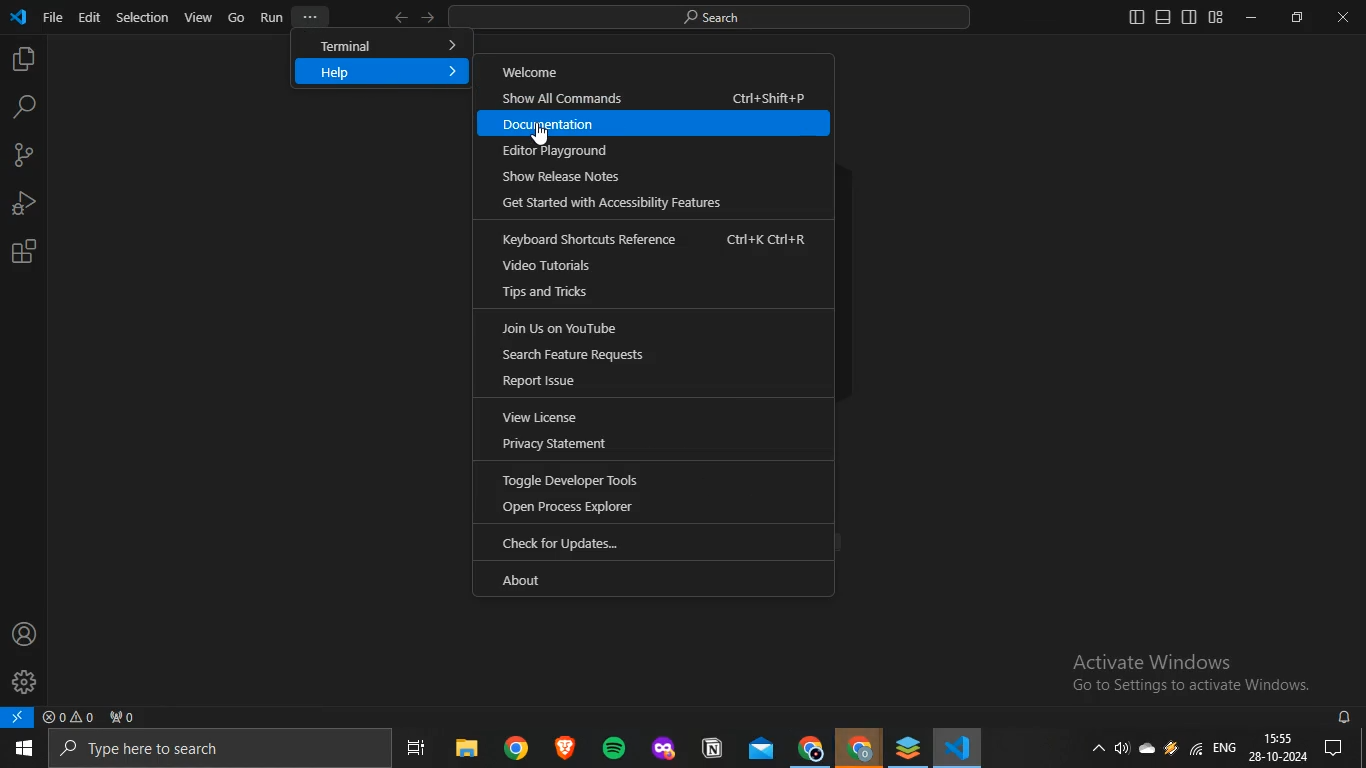 The height and width of the screenshot is (768, 1366). Describe the element at coordinates (382, 45) in the screenshot. I see `terminal` at that location.